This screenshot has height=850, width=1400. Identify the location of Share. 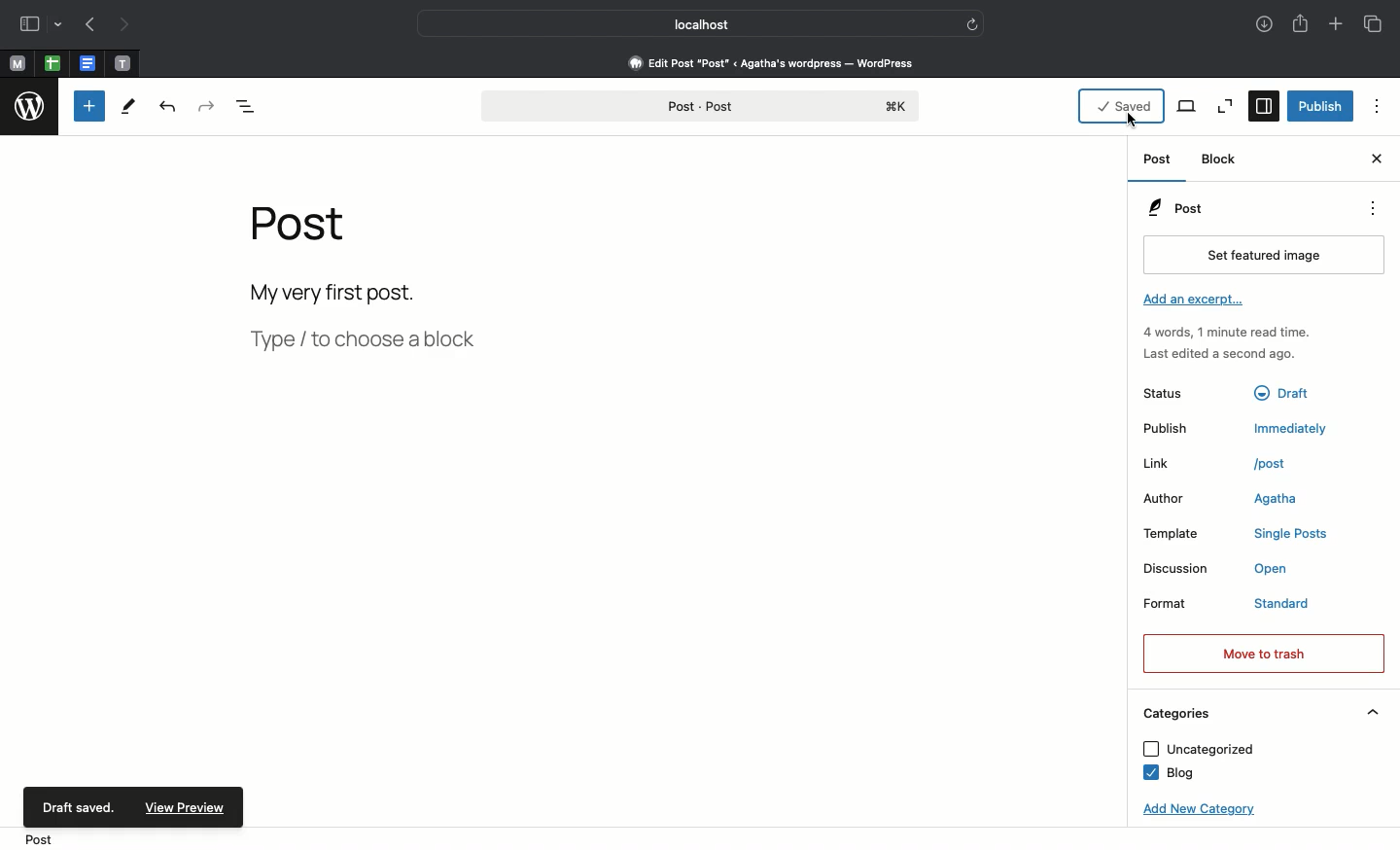
(1300, 25).